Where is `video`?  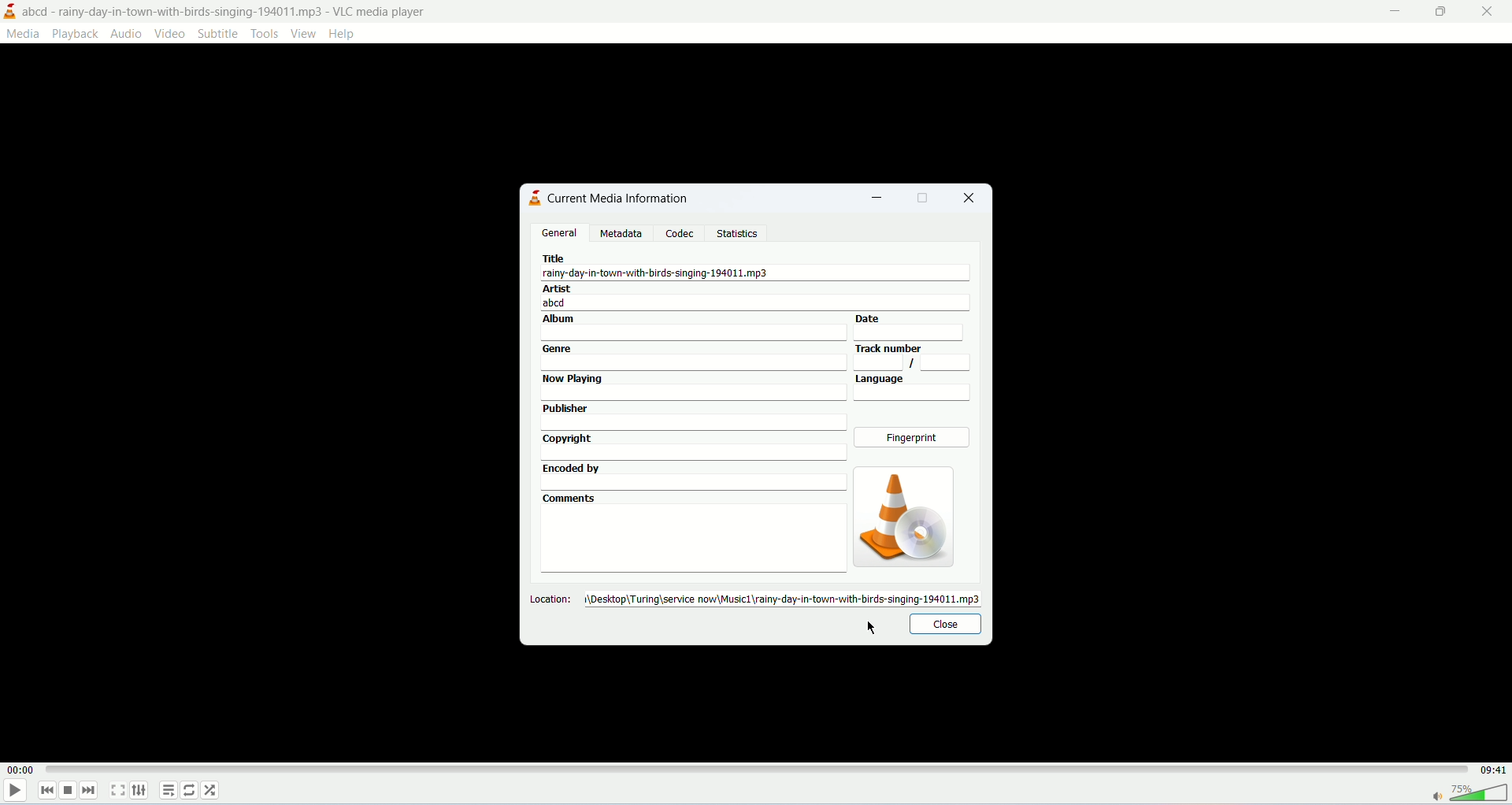 video is located at coordinates (171, 34).